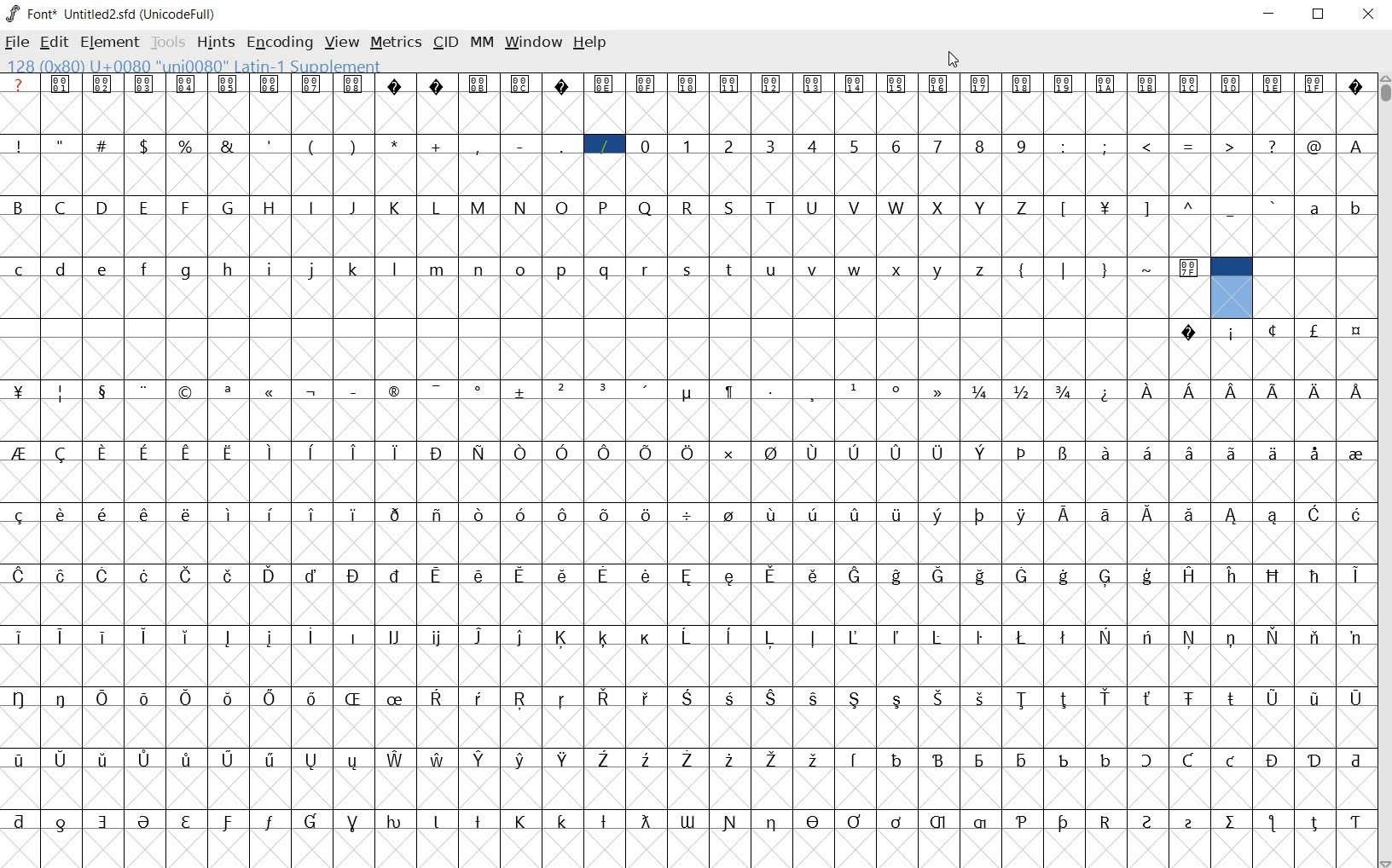 This screenshot has height=868, width=1392. What do you see at coordinates (1024, 576) in the screenshot?
I see `Symbol` at bounding box center [1024, 576].